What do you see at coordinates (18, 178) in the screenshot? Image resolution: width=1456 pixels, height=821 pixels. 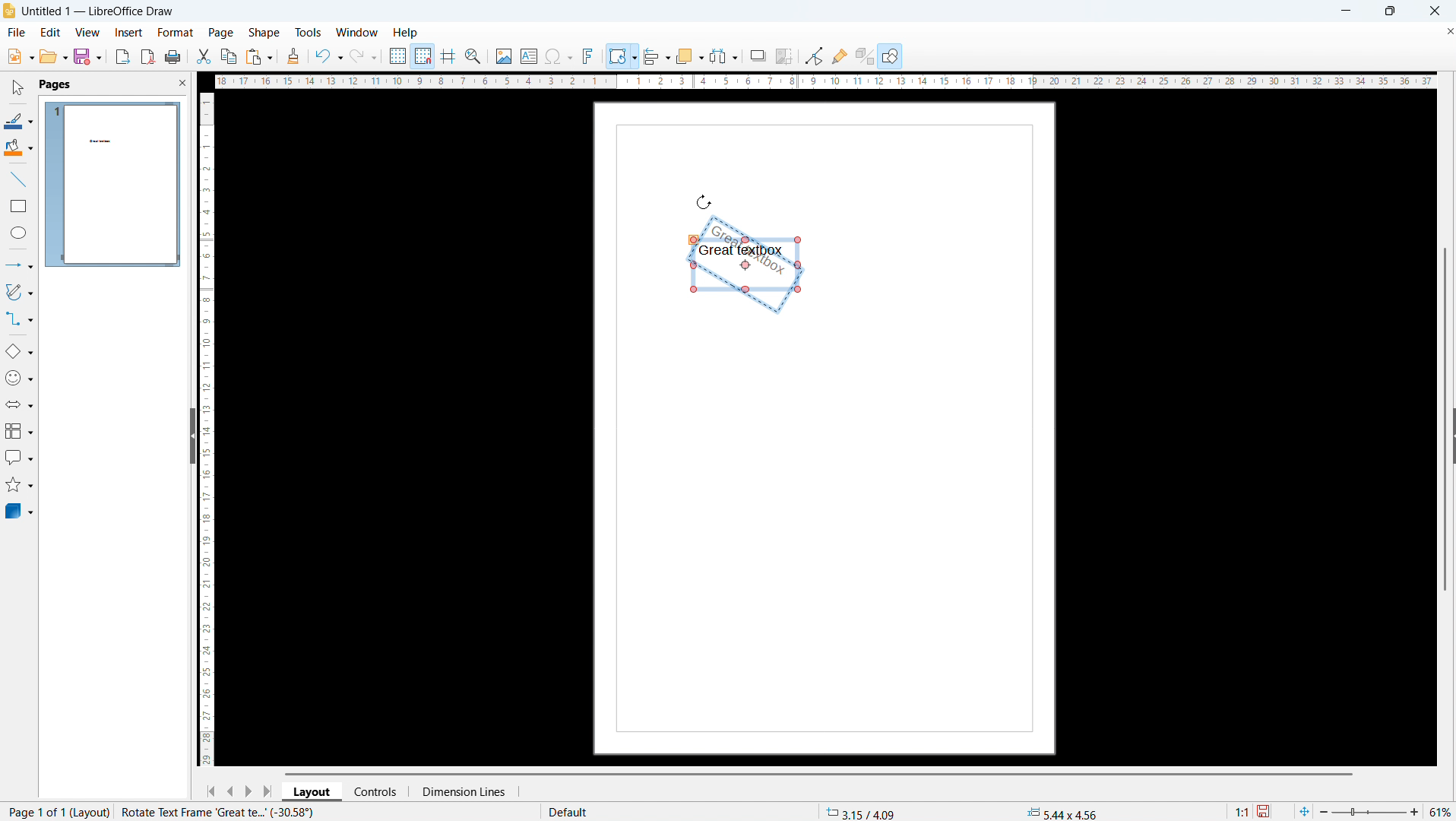 I see `line tool` at bounding box center [18, 178].